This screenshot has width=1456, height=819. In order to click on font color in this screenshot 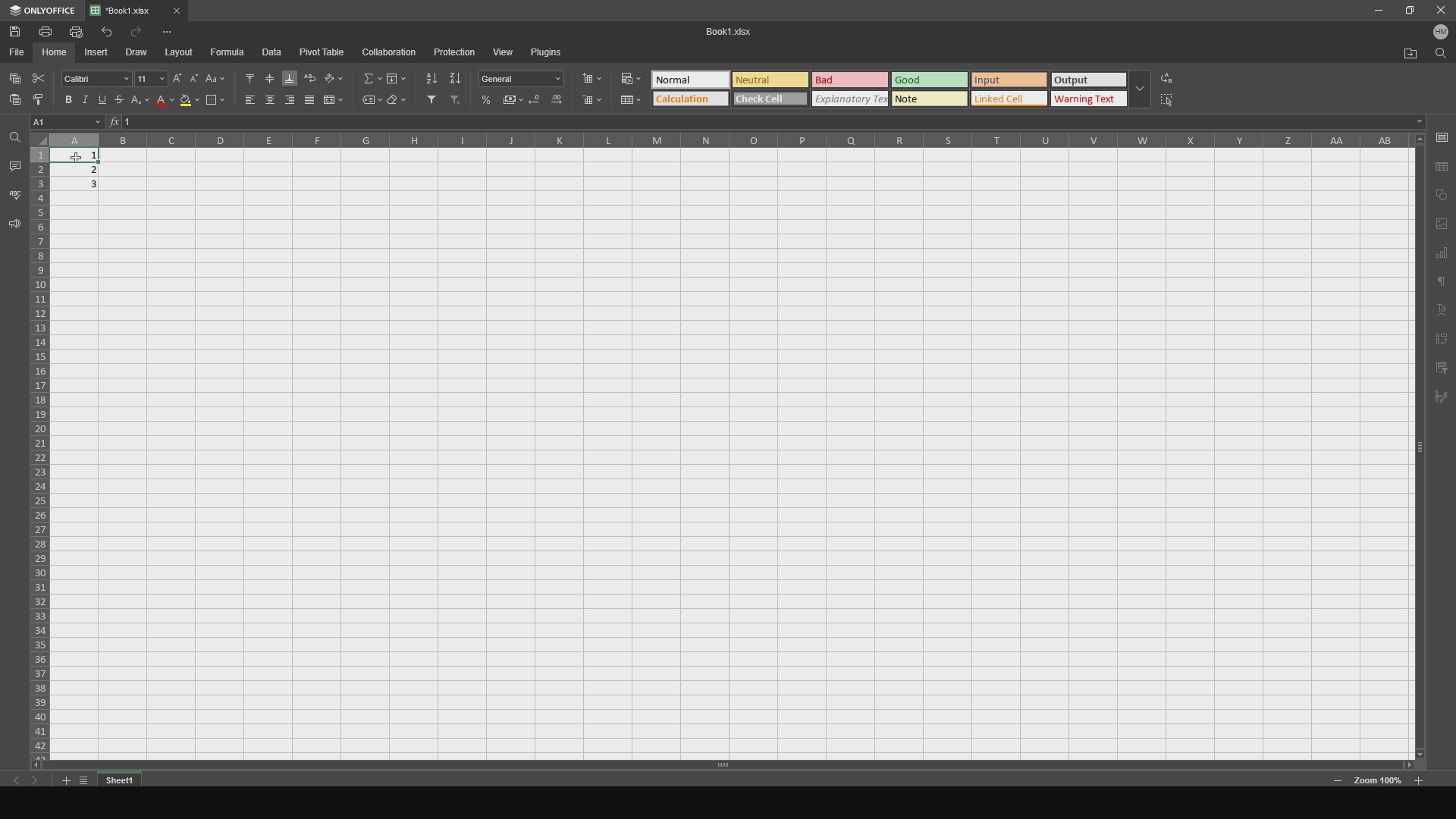, I will do `click(163, 104)`.